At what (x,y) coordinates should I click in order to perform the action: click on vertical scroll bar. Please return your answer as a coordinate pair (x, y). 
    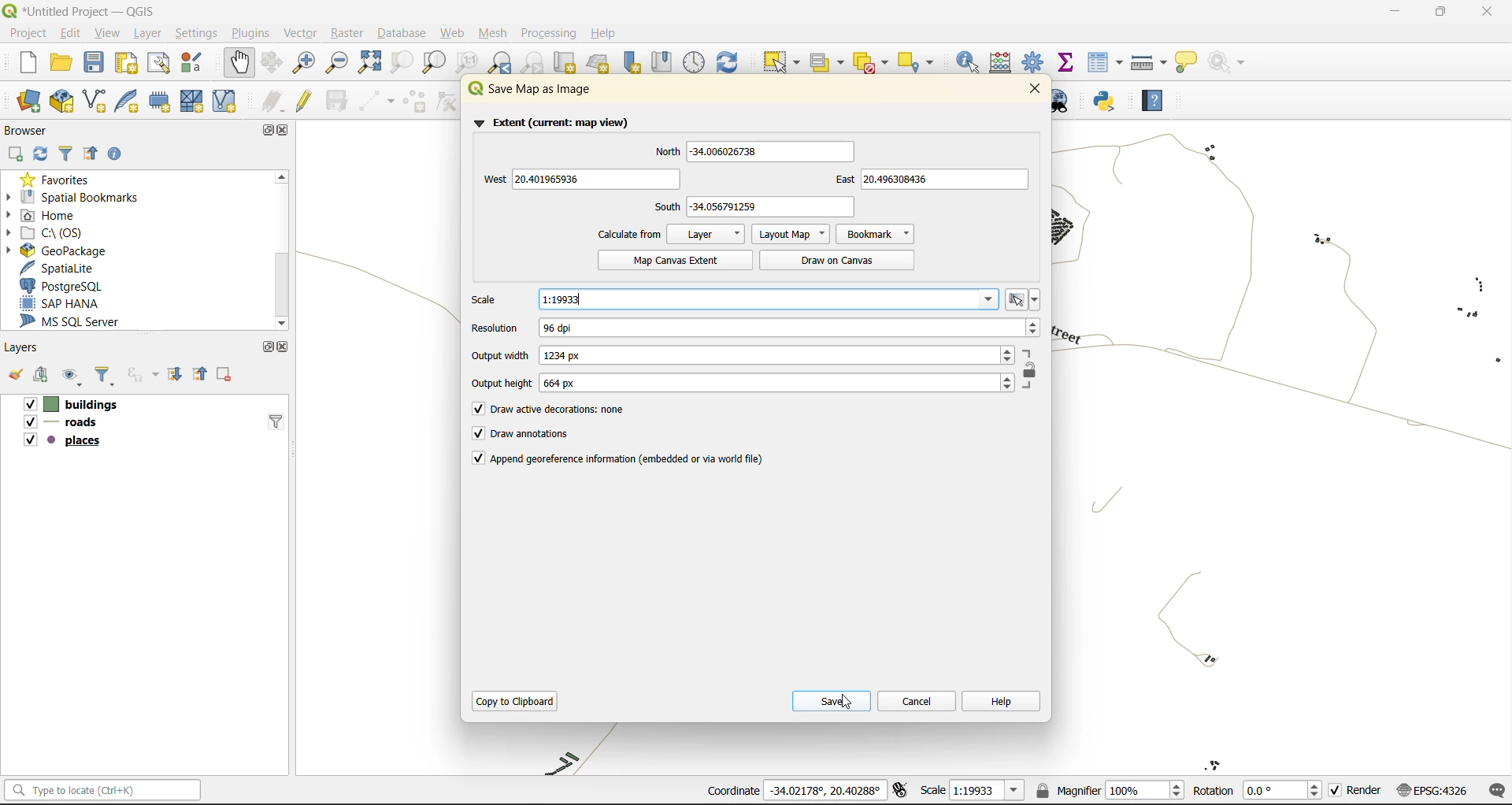
    Looking at the image, I should click on (282, 247).